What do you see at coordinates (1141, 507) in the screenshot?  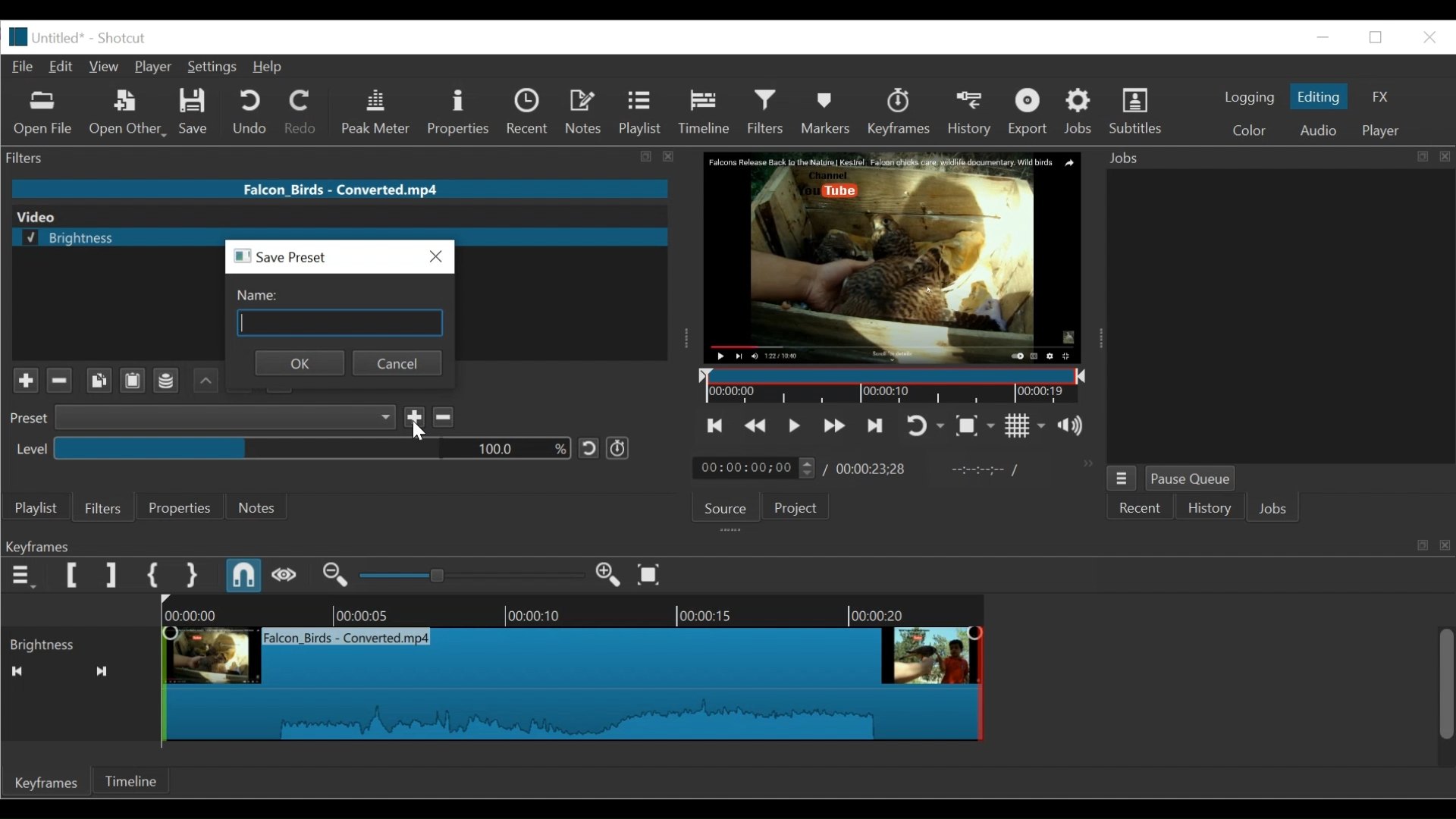 I see `Recent` at bounding box center [1141, 507].